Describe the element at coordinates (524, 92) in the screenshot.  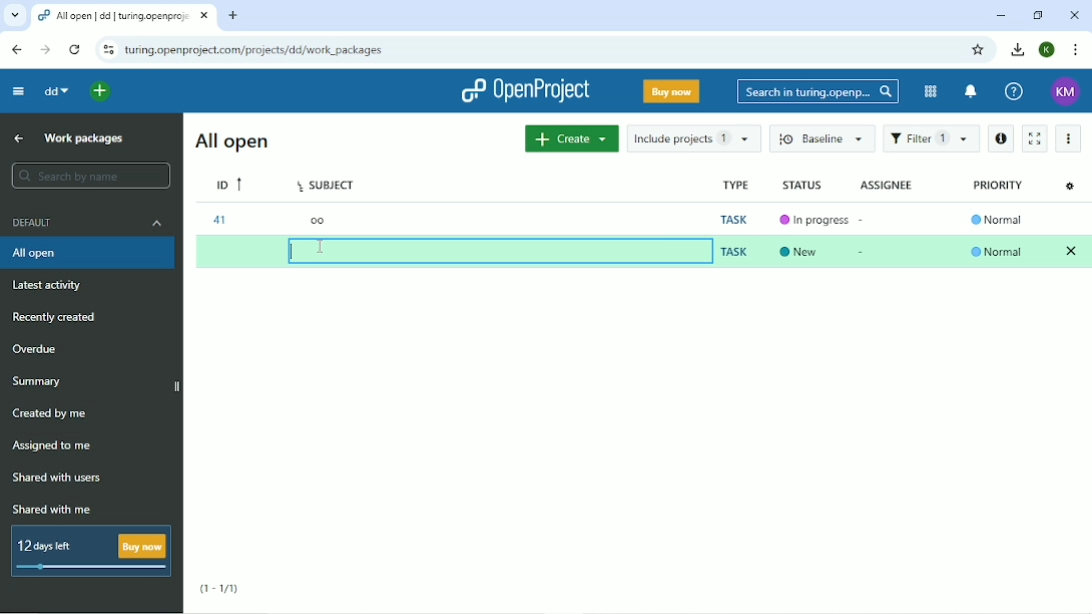
I see `OpenProject` at that location.